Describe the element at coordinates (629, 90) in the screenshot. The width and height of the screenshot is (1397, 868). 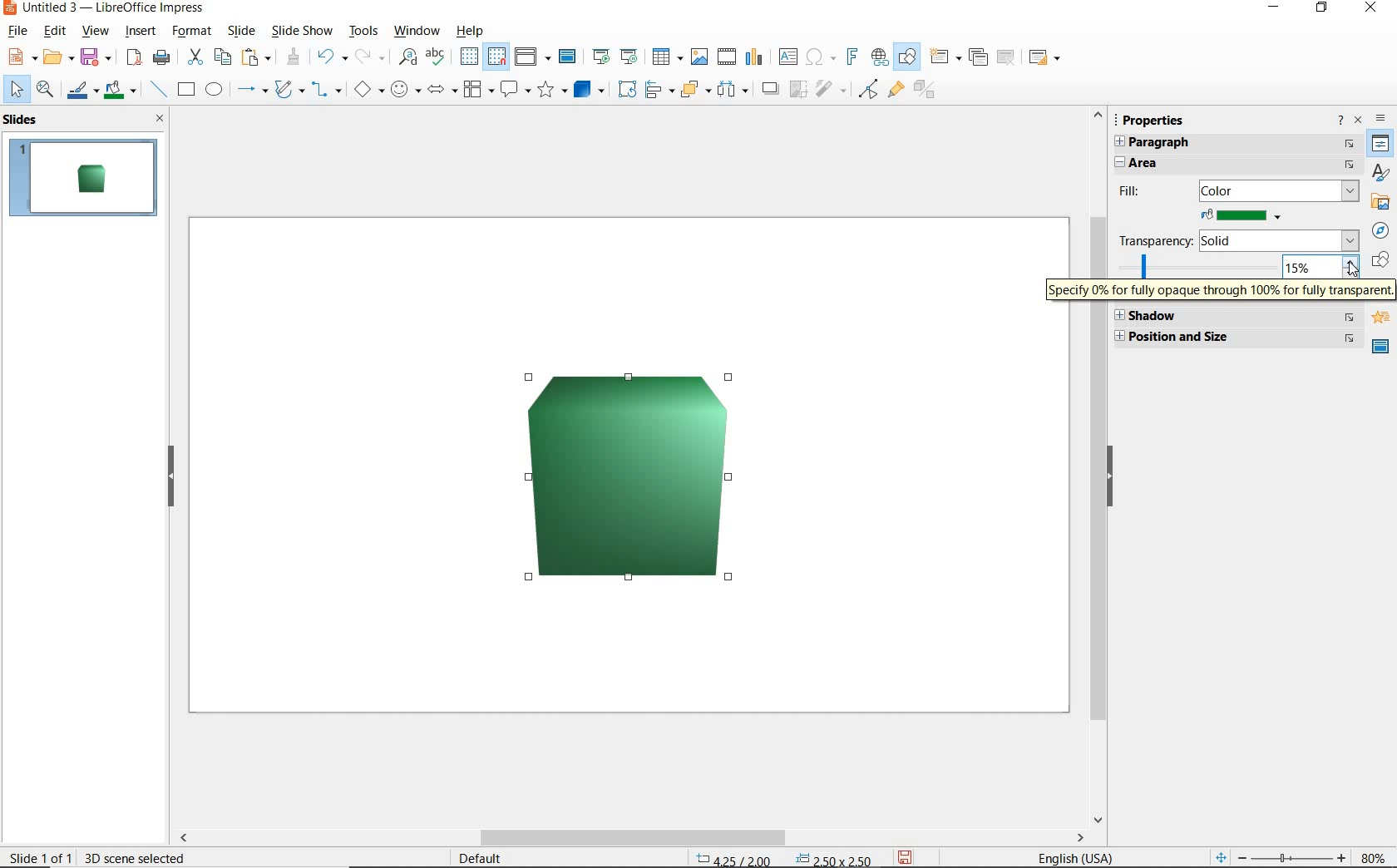
I see `ROTATE` at that location.